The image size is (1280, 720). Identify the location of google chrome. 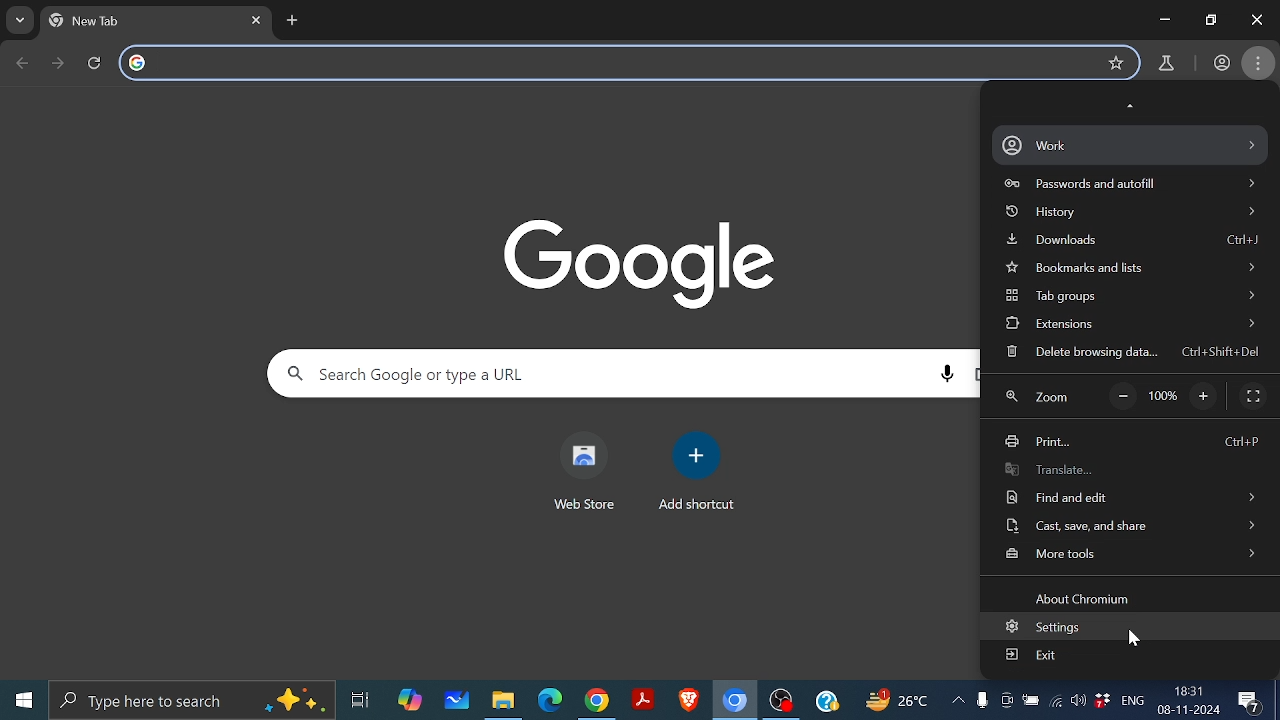
(596, 701).